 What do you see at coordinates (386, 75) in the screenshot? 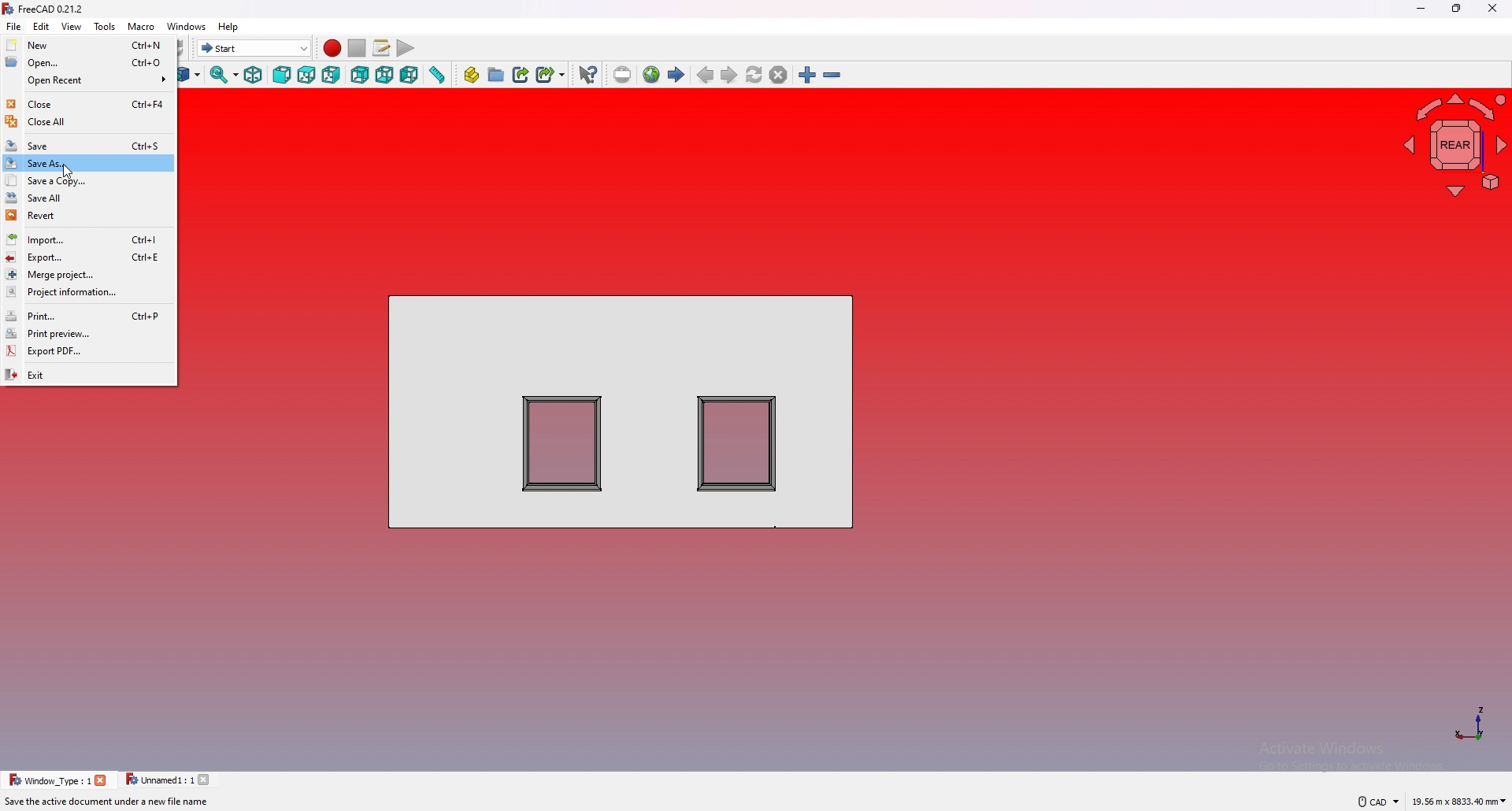
I see `bottom` at bounding box center [386, 75].